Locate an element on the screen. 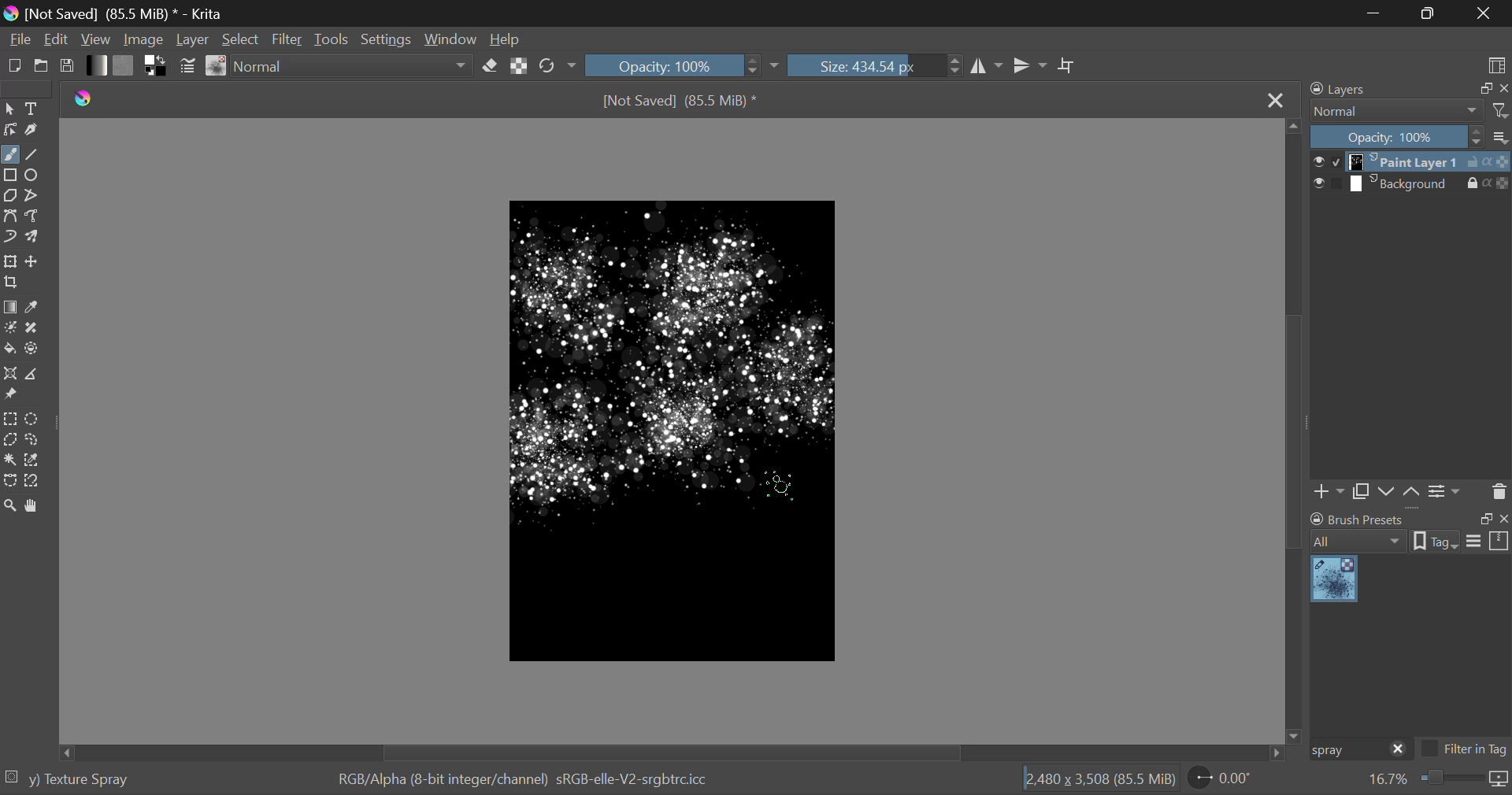  Zoom is located at coordinates (11, 508).